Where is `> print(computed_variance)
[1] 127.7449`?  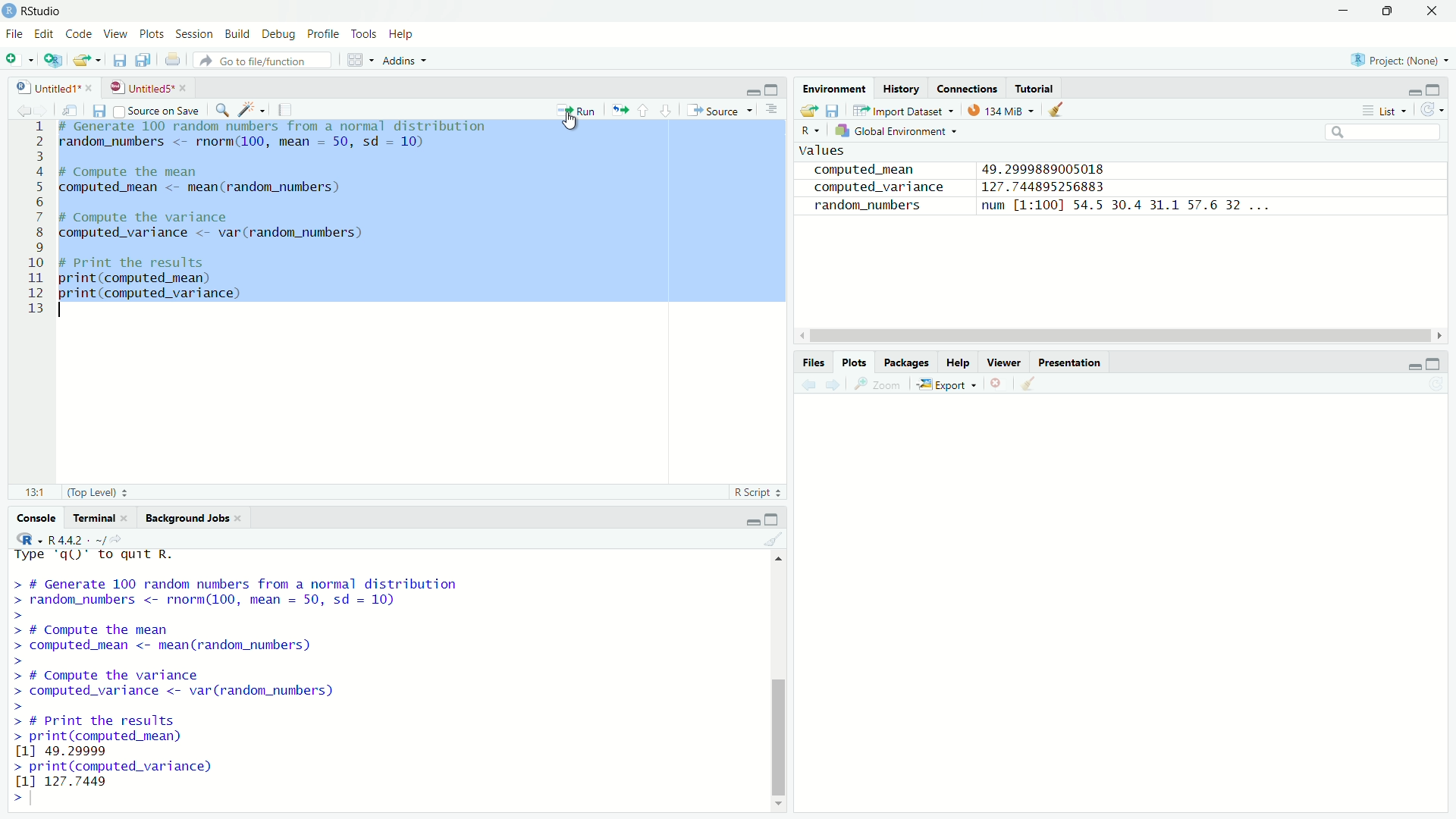 > print(computed_variance)
[1] 127.7449 is located at coordinates (118, 773).